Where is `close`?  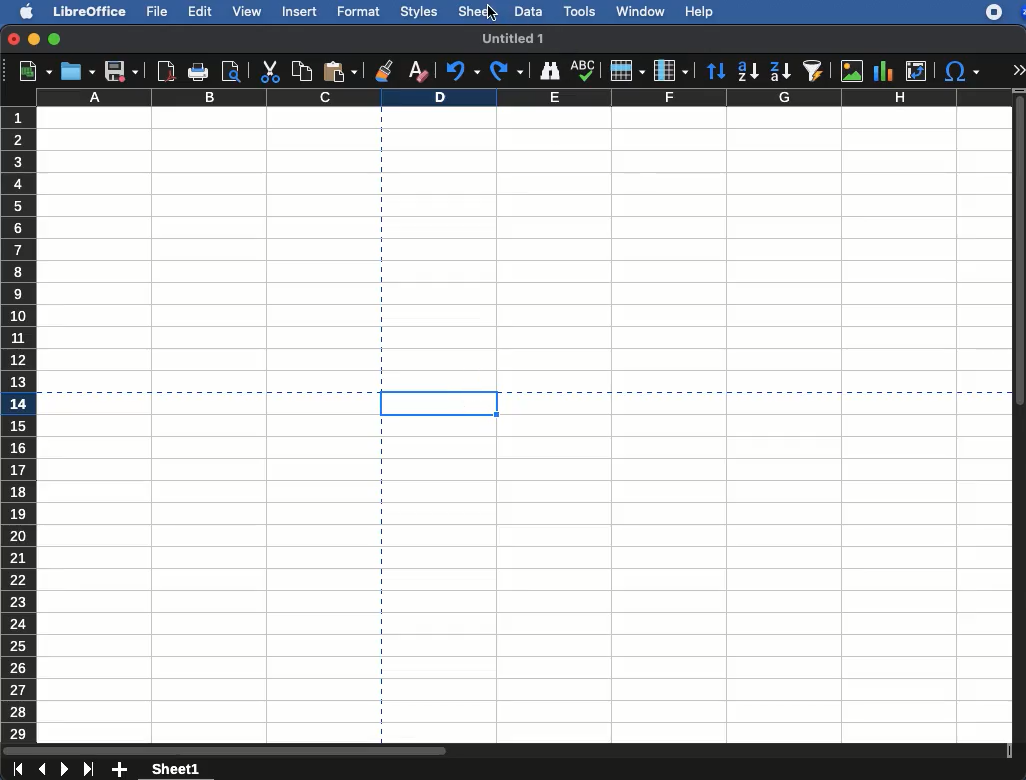
close is located at coordinates (13, 39).